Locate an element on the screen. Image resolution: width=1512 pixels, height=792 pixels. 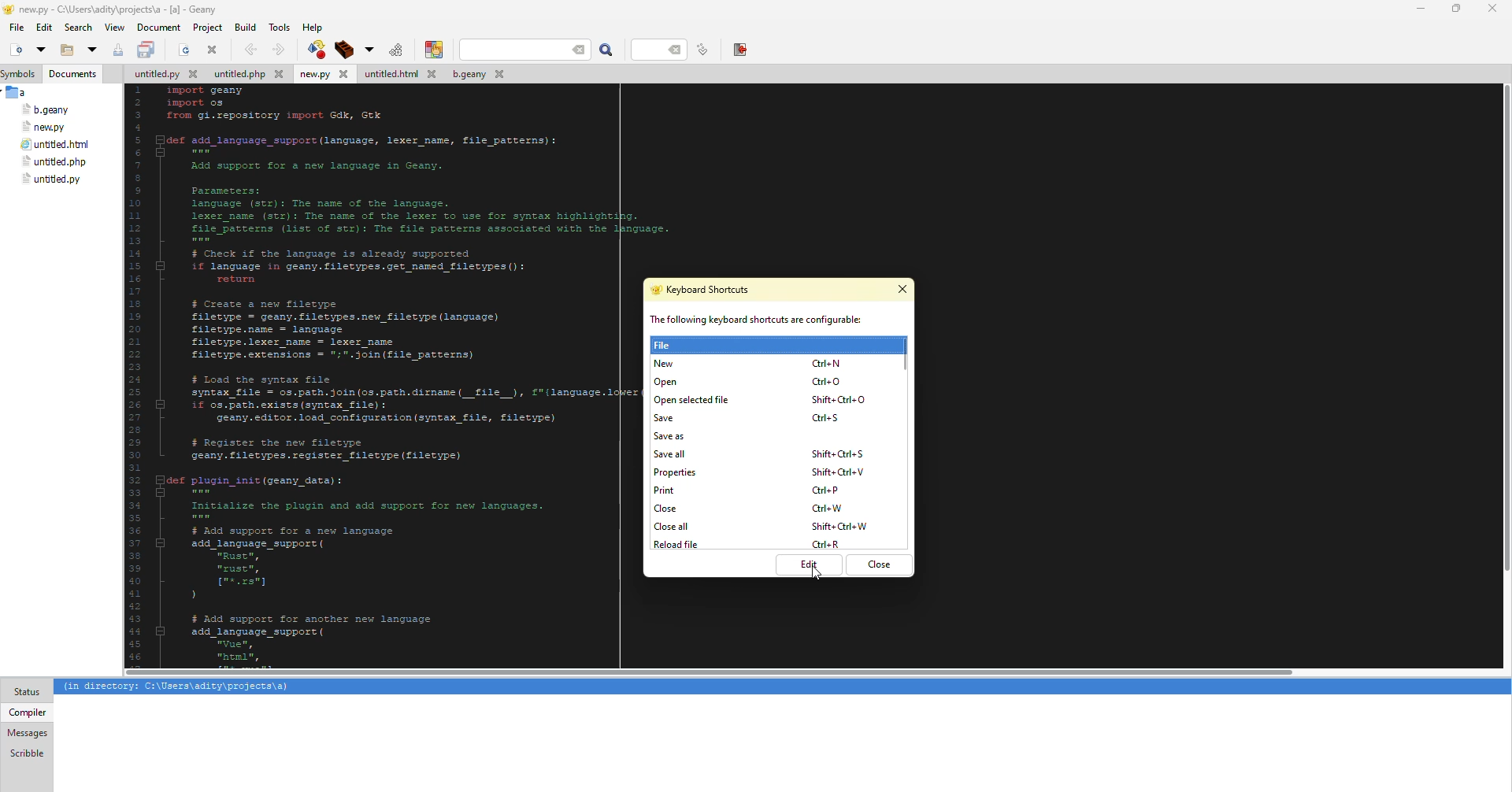
shortcut is located at coordinates (836, 472).